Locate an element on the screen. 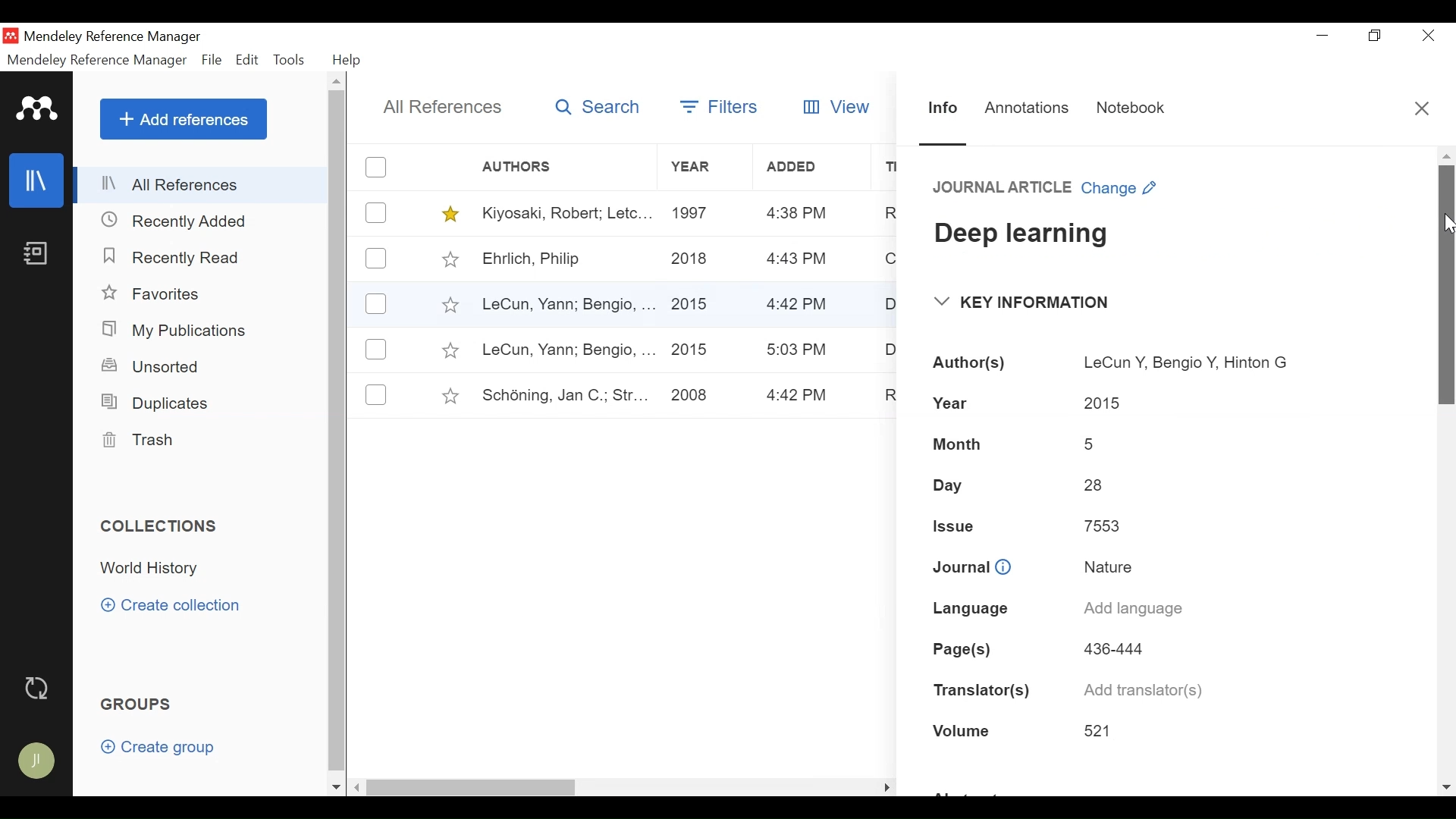 This screenshot has width=1456, height=819. Scroll down is located at coordinates (336, 787).